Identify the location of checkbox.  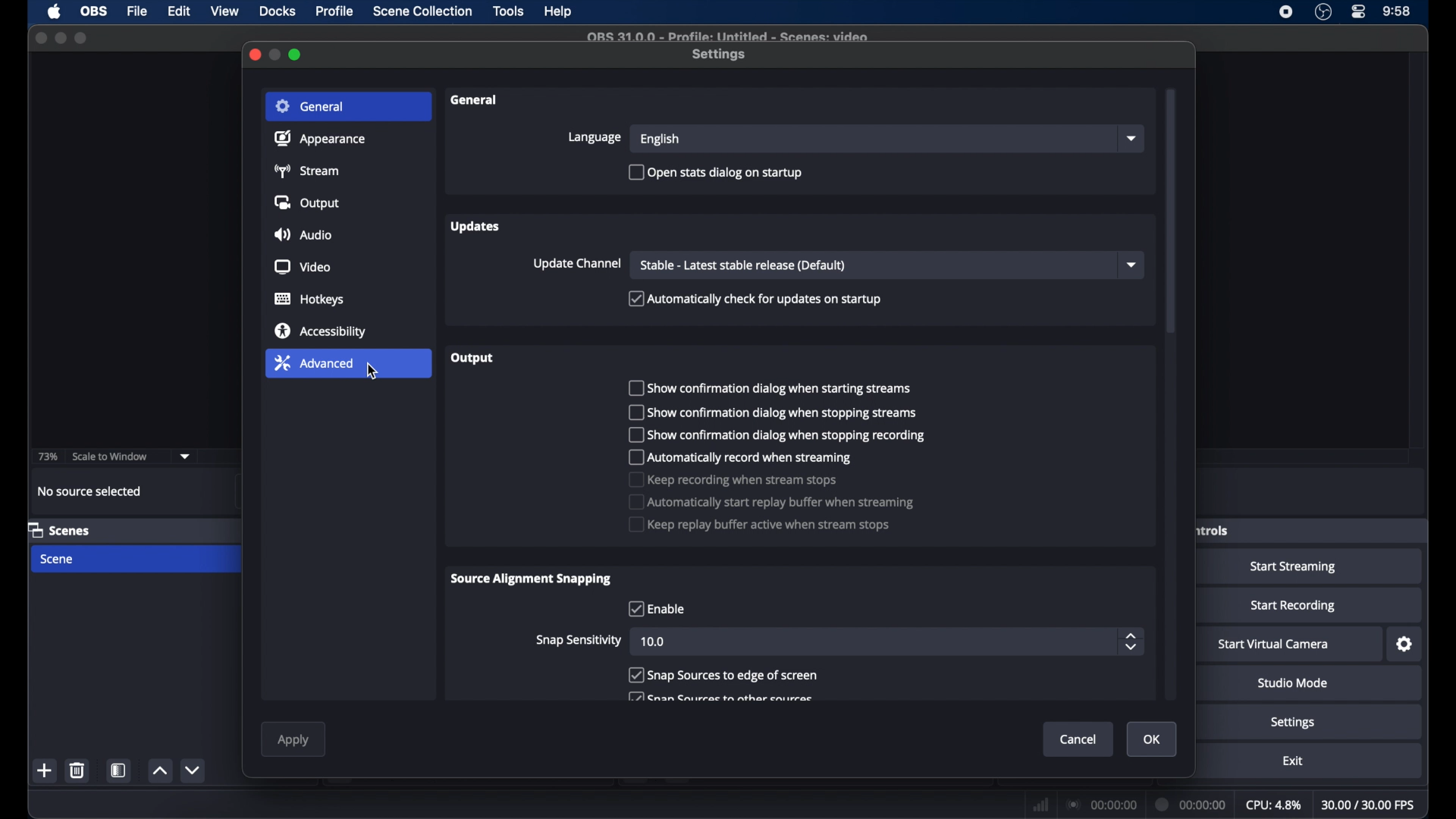
(770, 502).